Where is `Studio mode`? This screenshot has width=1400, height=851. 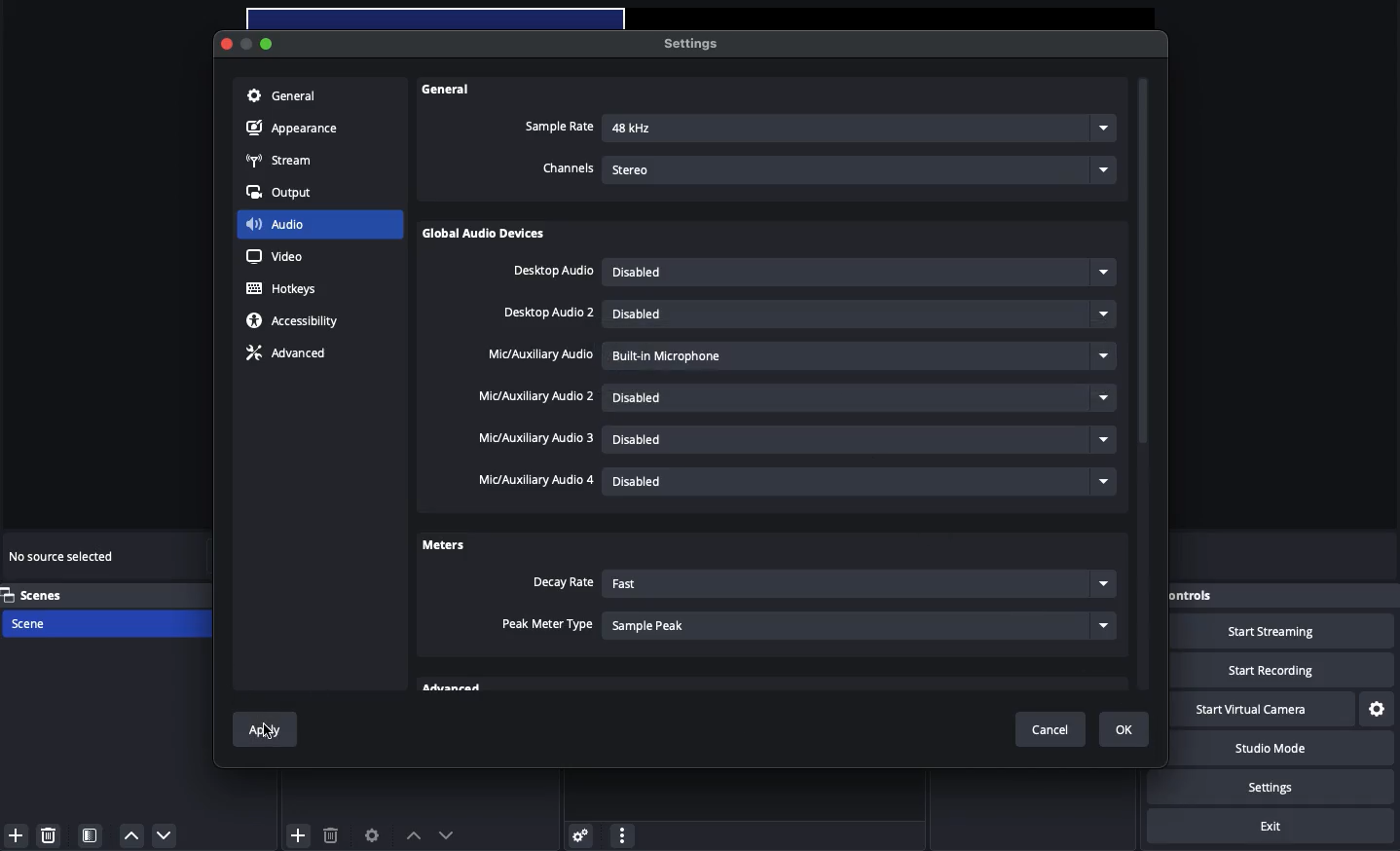 Studio mode is located at coordinates (1283, 751).